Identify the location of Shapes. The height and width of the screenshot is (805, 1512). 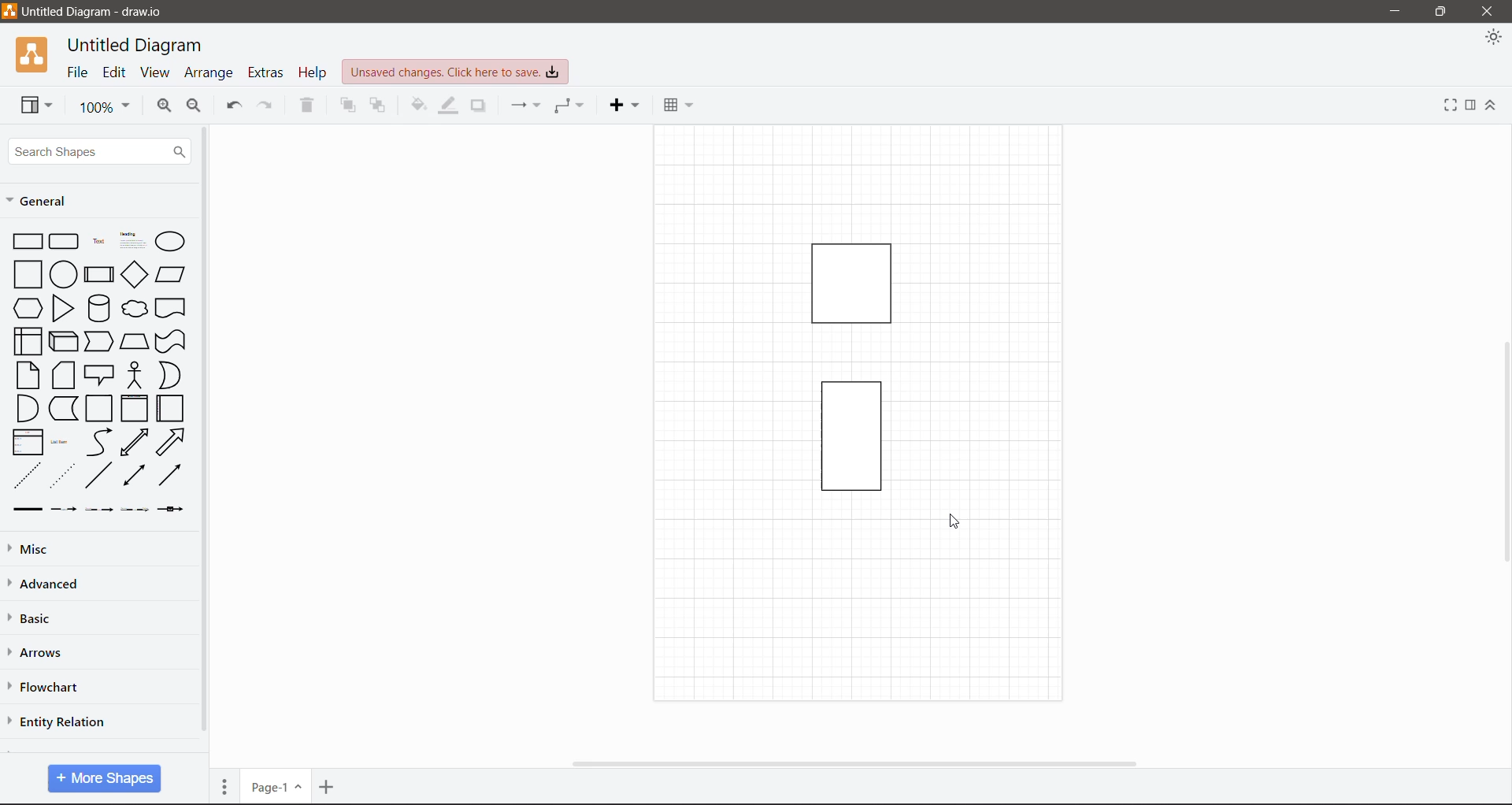
(836, 362).